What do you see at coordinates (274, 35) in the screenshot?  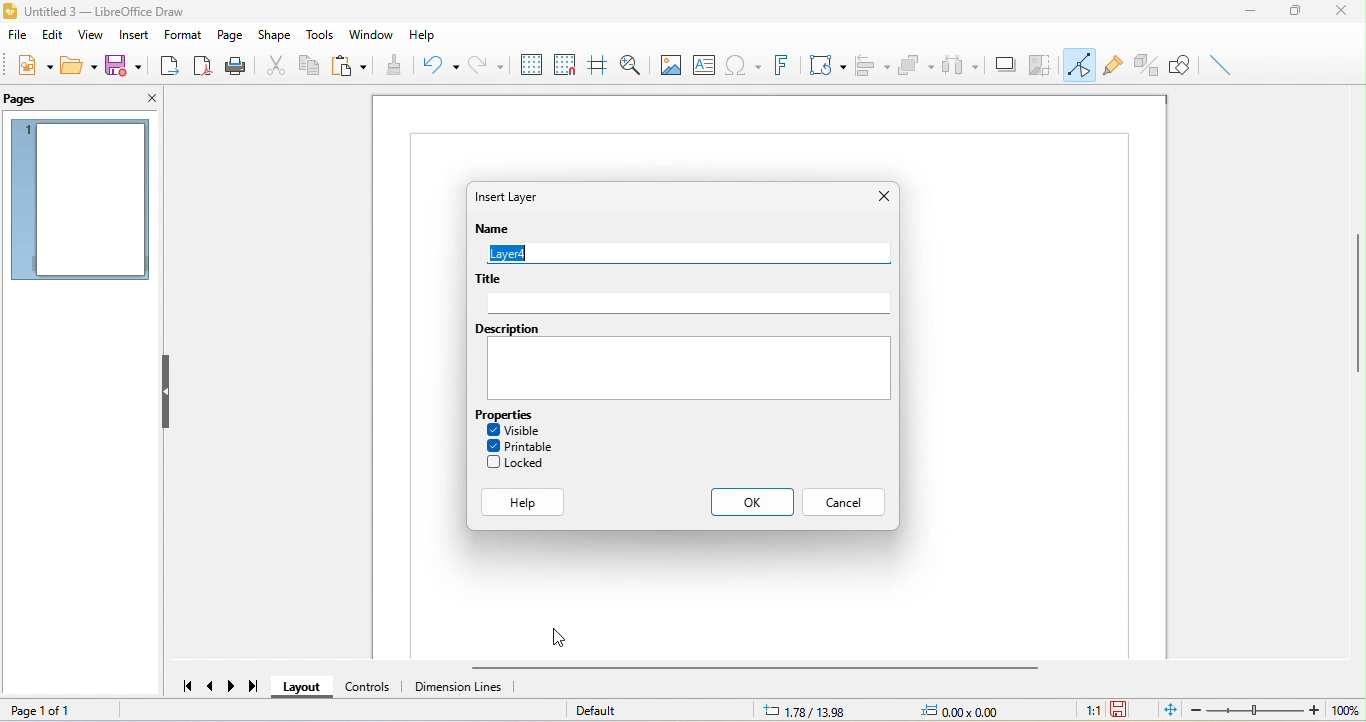 I see `shape` at bounding box center [274, 35].